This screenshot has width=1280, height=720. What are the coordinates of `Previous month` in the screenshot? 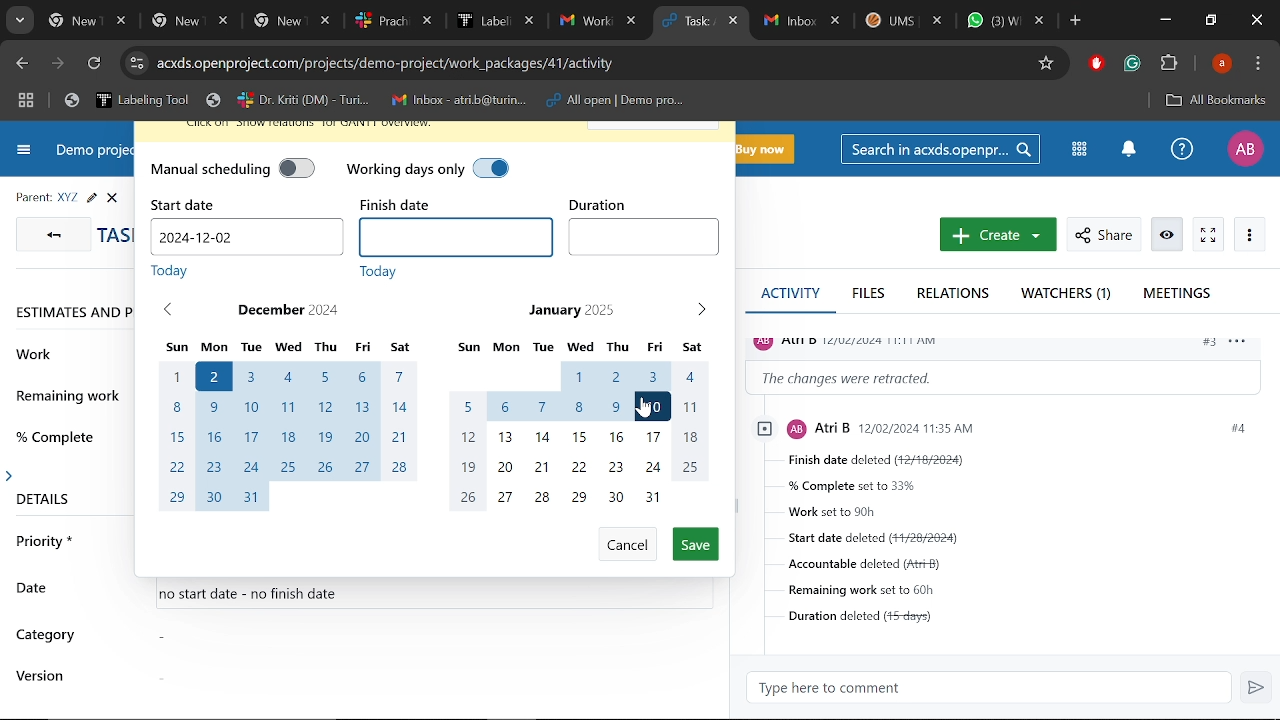 It's located at (170, 310).